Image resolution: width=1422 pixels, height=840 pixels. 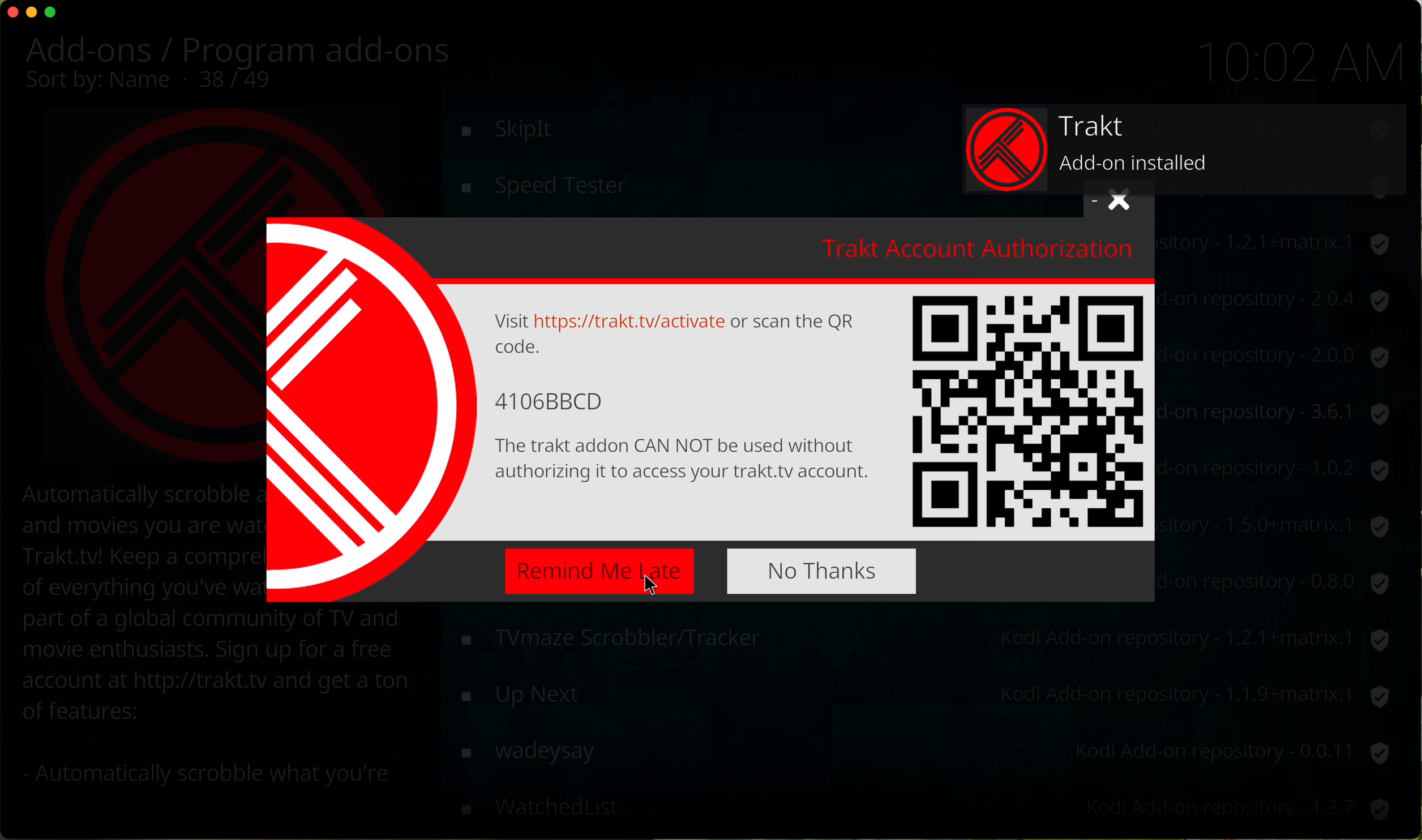 What do you see at coordinates (216, 696) in the screenshot?
I see `description` at bounding box center [216, 696].